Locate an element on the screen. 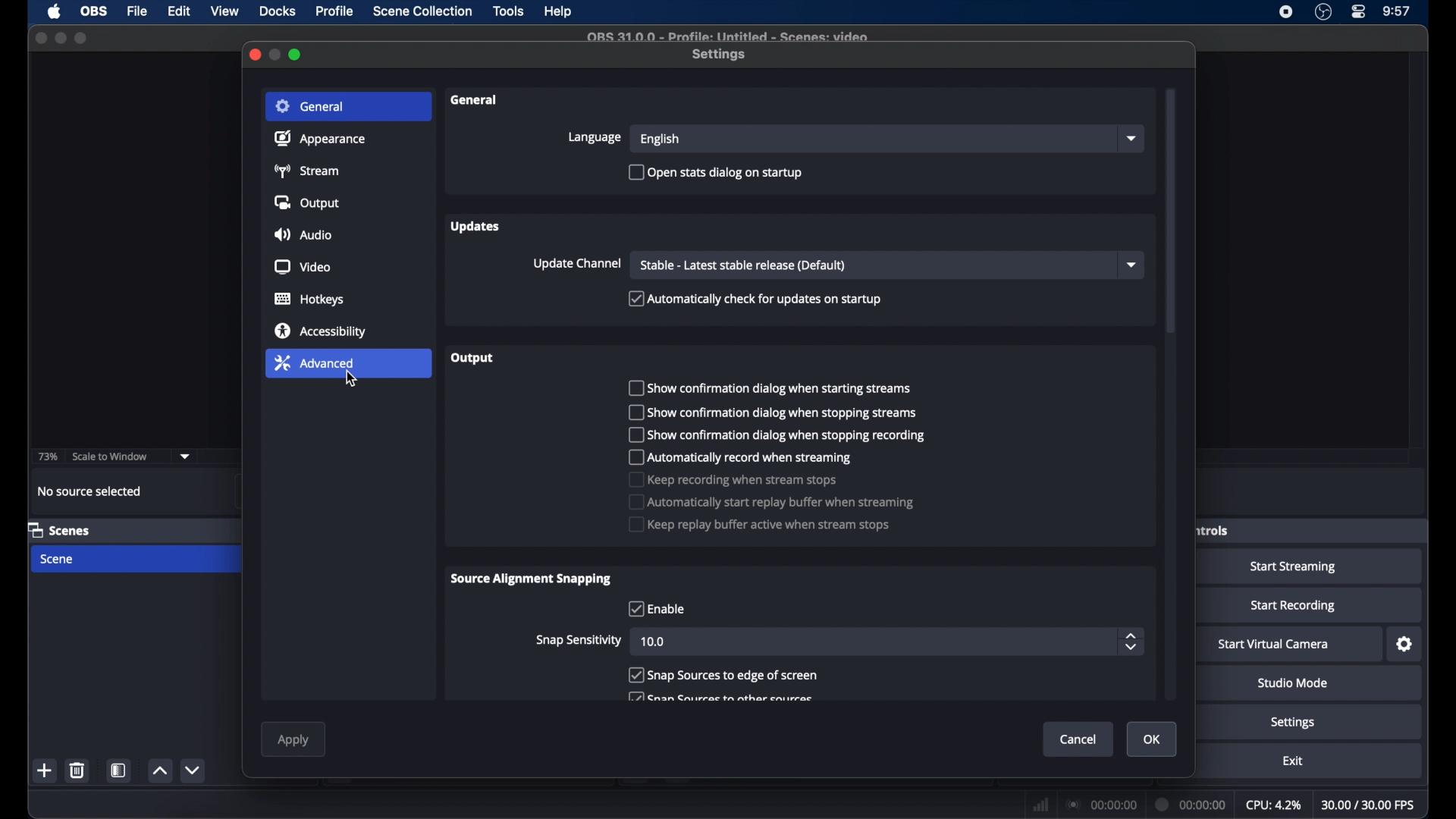 This screenshot has width=1456, height=819. scroll box is located at coordinates (1171, 209).